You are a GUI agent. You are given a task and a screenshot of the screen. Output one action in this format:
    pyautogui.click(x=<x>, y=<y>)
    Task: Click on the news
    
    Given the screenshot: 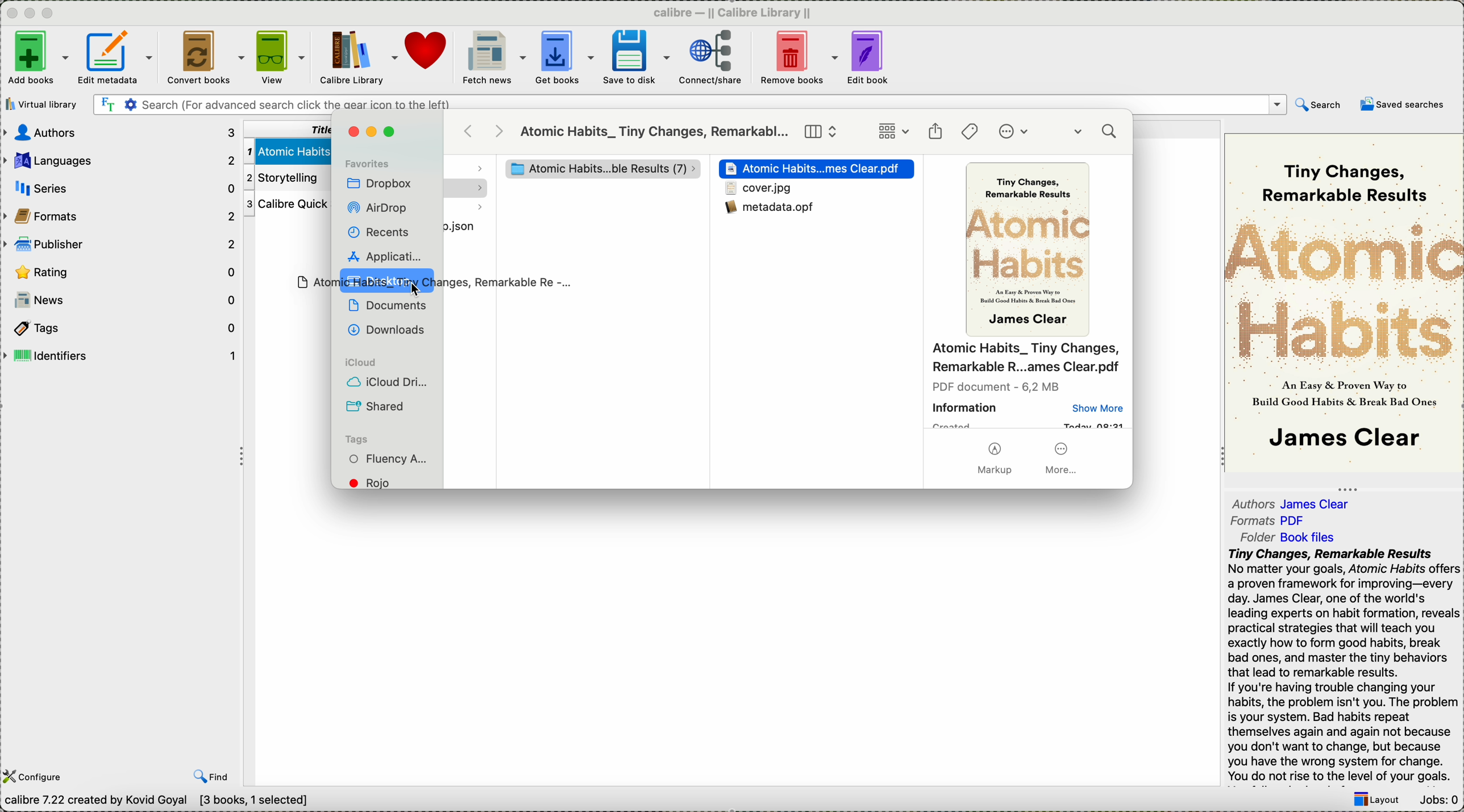 What is the action you would take?
    pyautogui.click(x=121, y=300)
    